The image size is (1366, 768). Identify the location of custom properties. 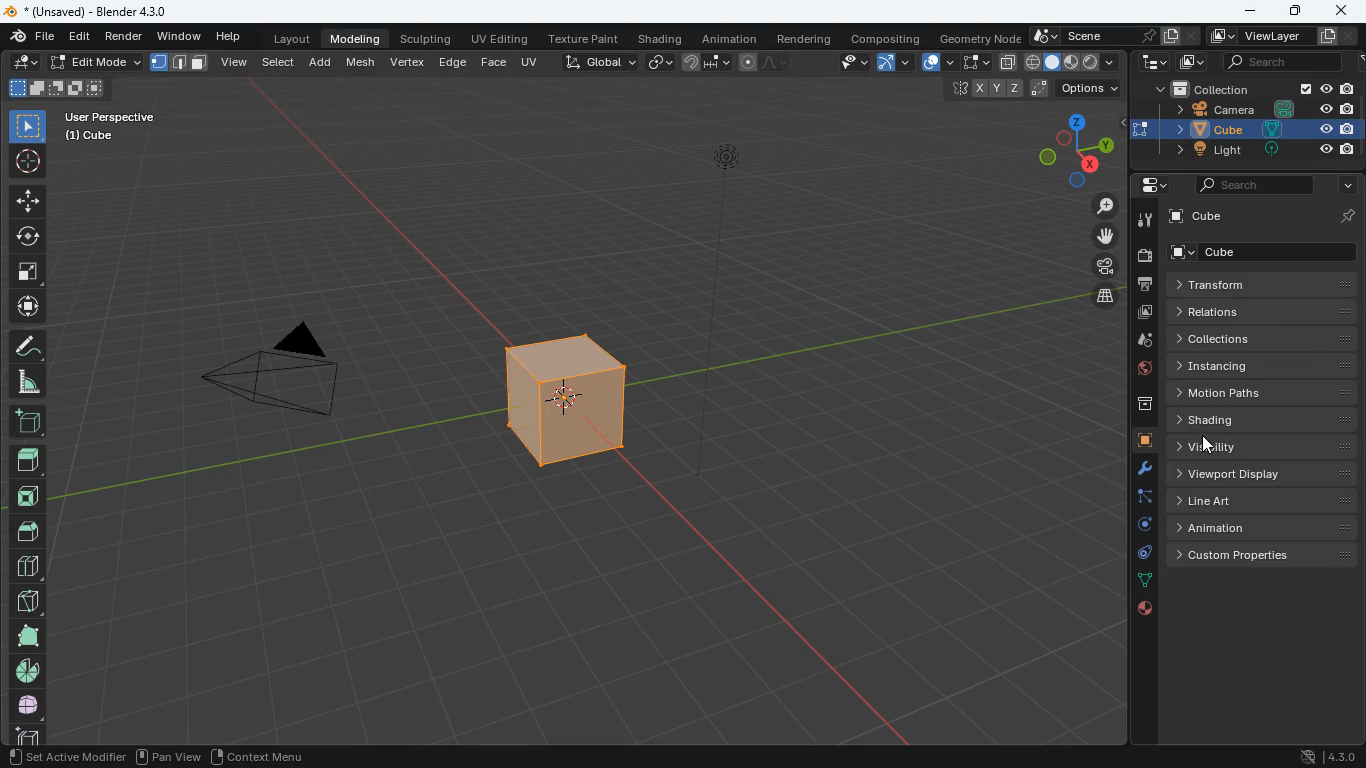
(1262, 555).